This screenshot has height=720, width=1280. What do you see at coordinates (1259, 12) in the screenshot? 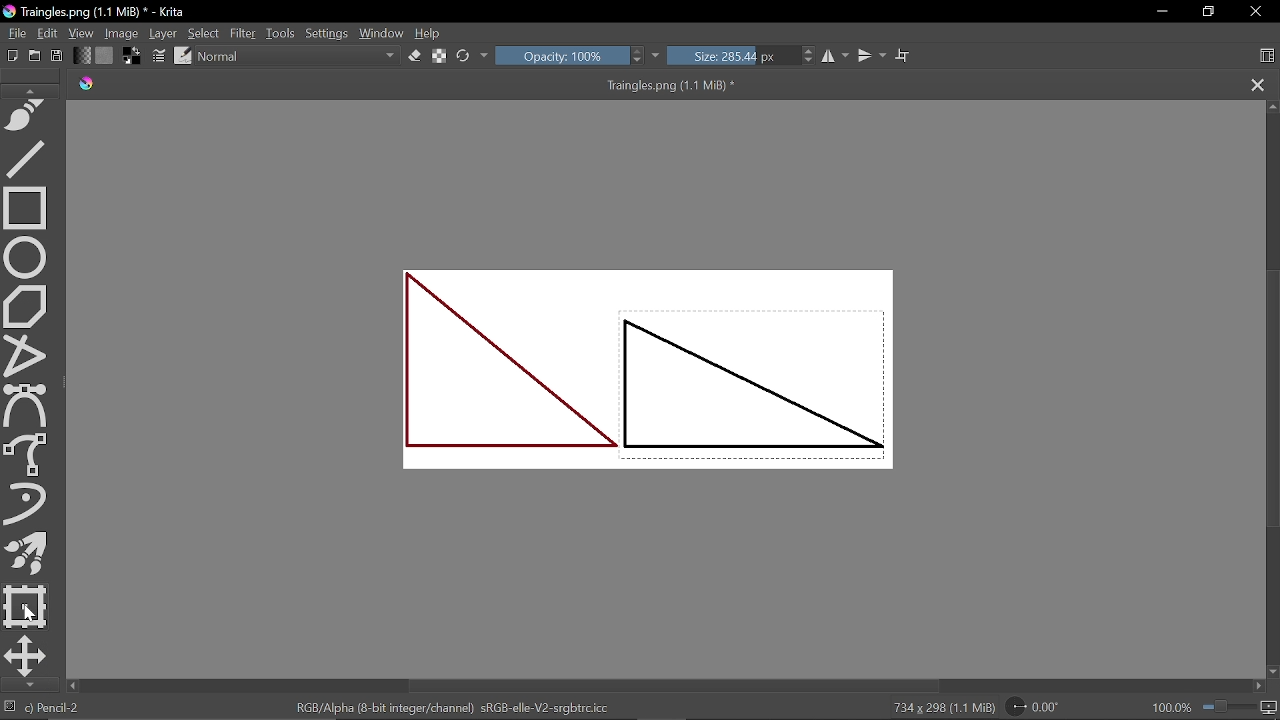
I see `Close` at bounding box center [1259, 12].